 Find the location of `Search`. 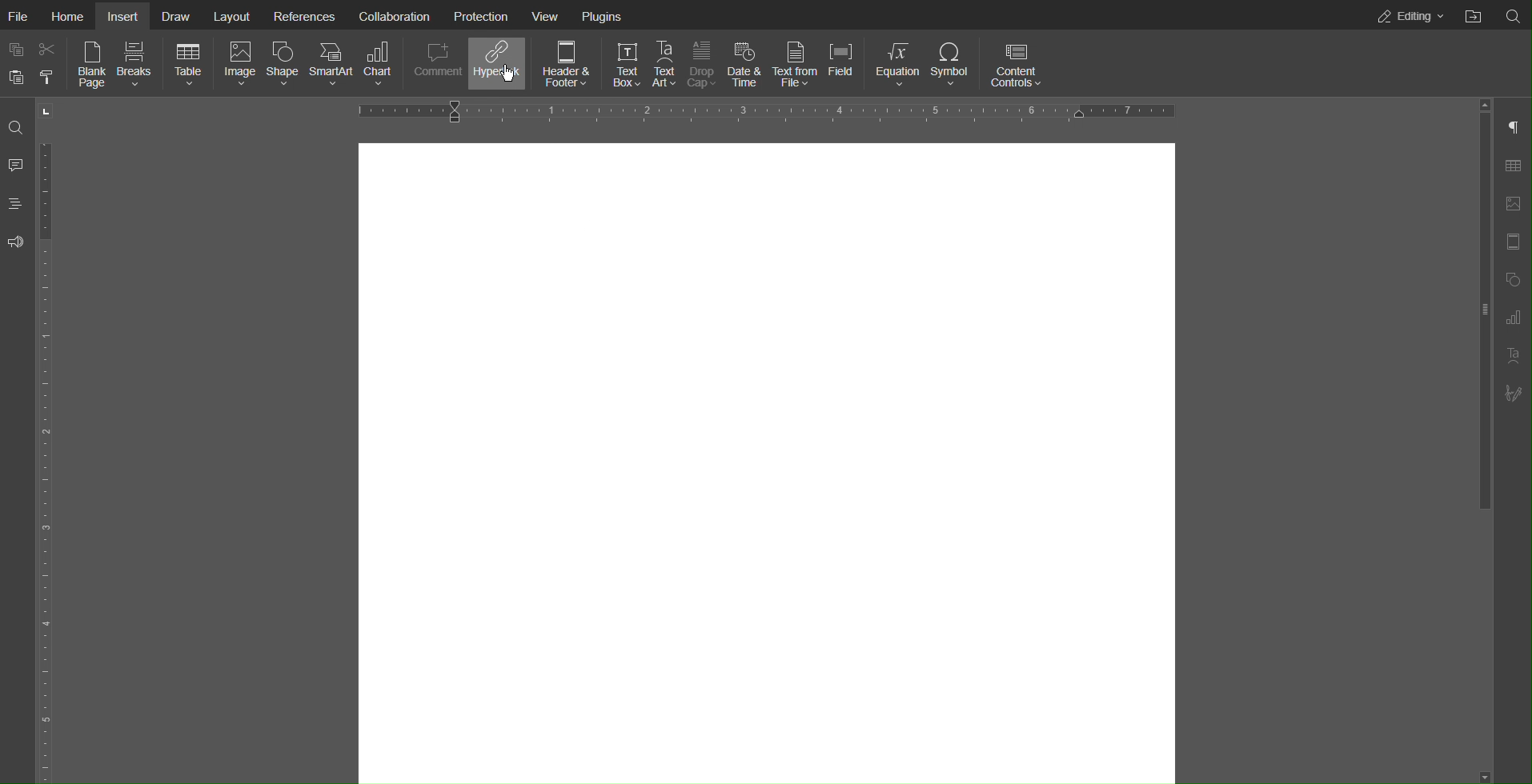

Search is located at coordinates (16, 126).